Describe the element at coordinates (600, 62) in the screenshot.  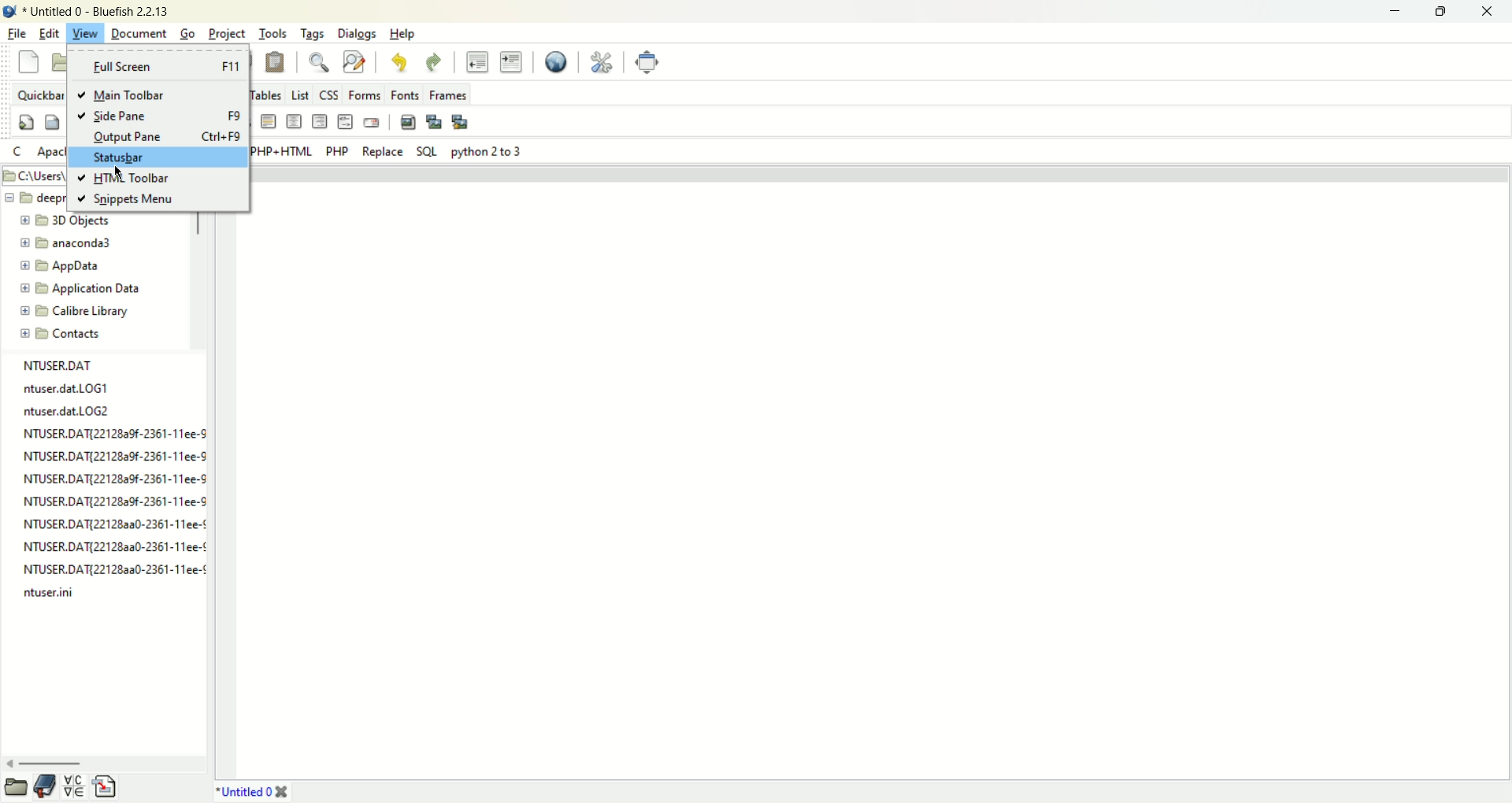
I see `preferences` at that location.